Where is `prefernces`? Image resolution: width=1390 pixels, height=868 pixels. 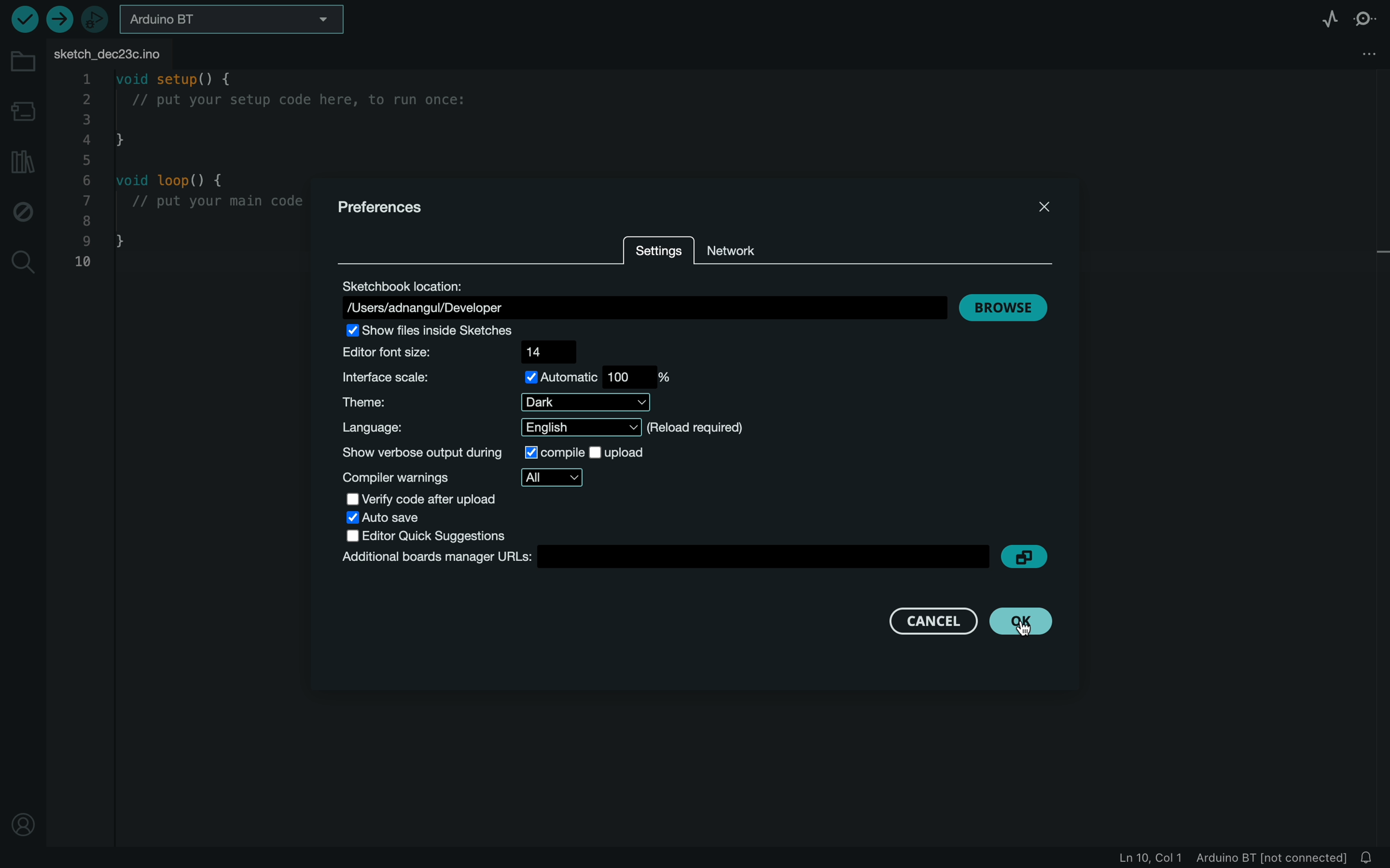 prefernces is located at coordinates (391, 208).